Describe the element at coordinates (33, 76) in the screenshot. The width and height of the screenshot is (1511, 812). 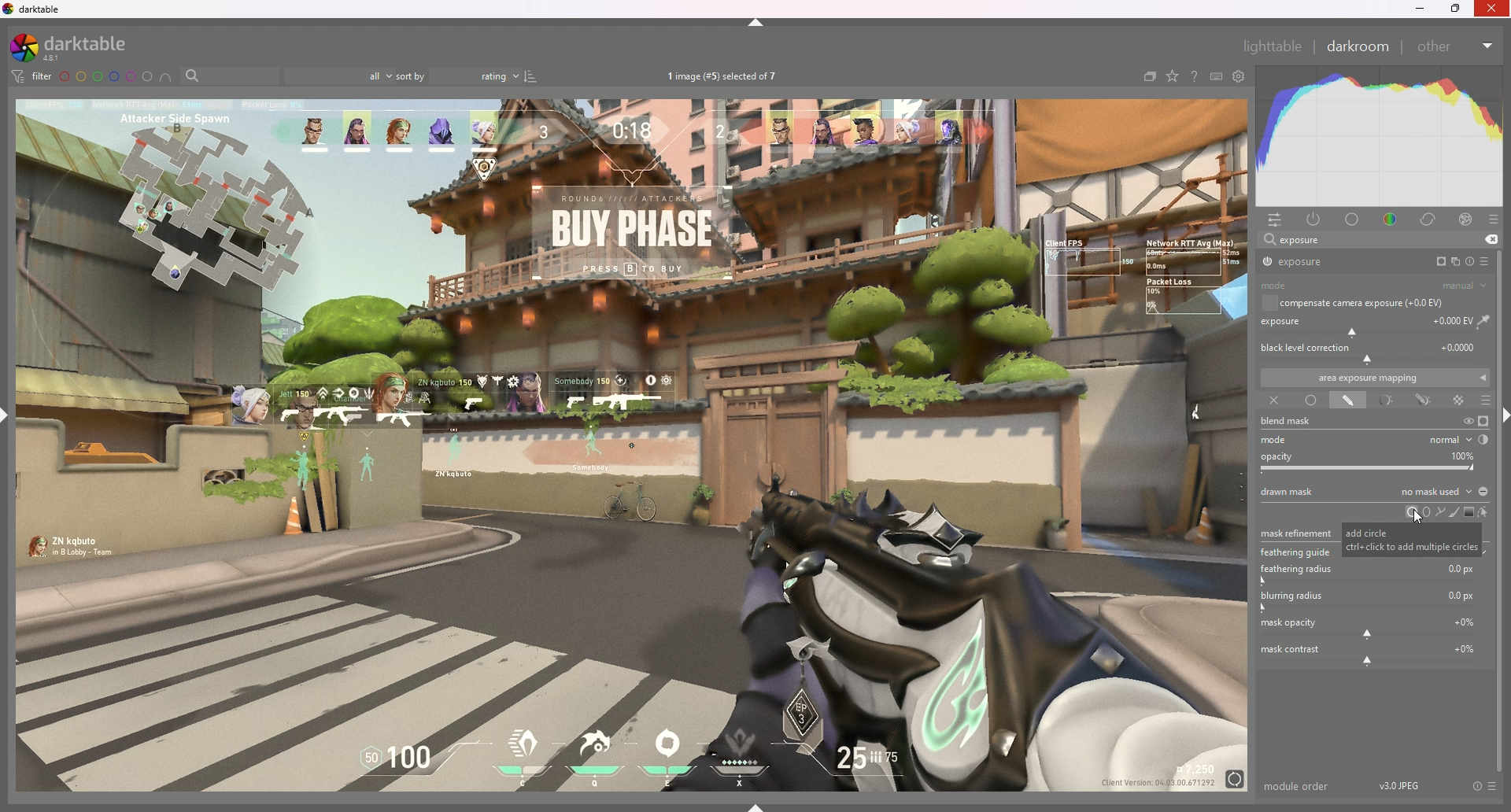
I see `filter` at that location.